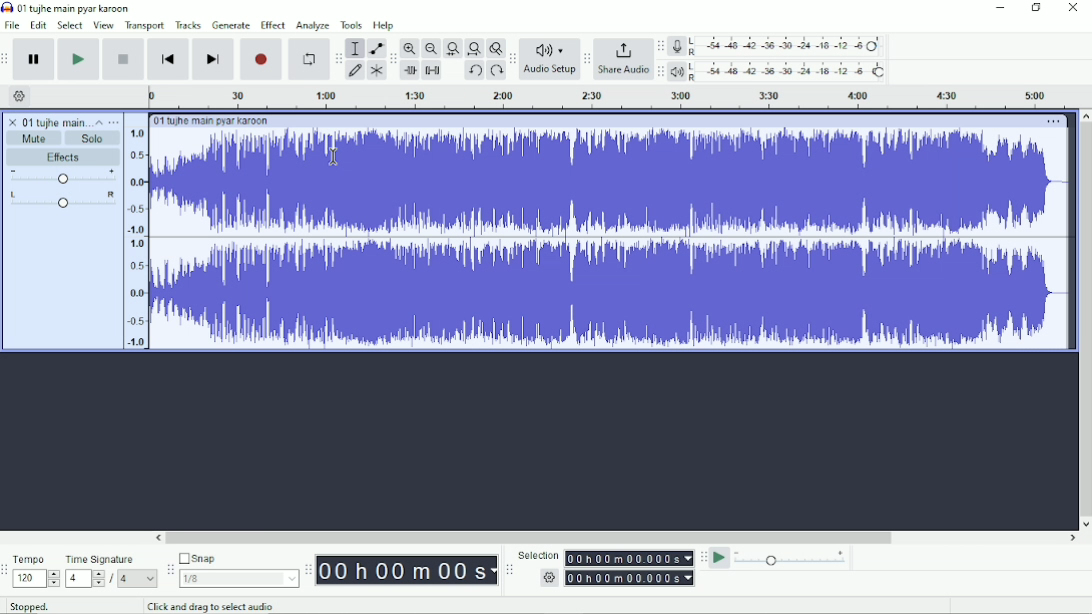  What do you see at coordinates (168, 59) in the screenshot?
I see `Skip to start` at bounding box center [168, 59].